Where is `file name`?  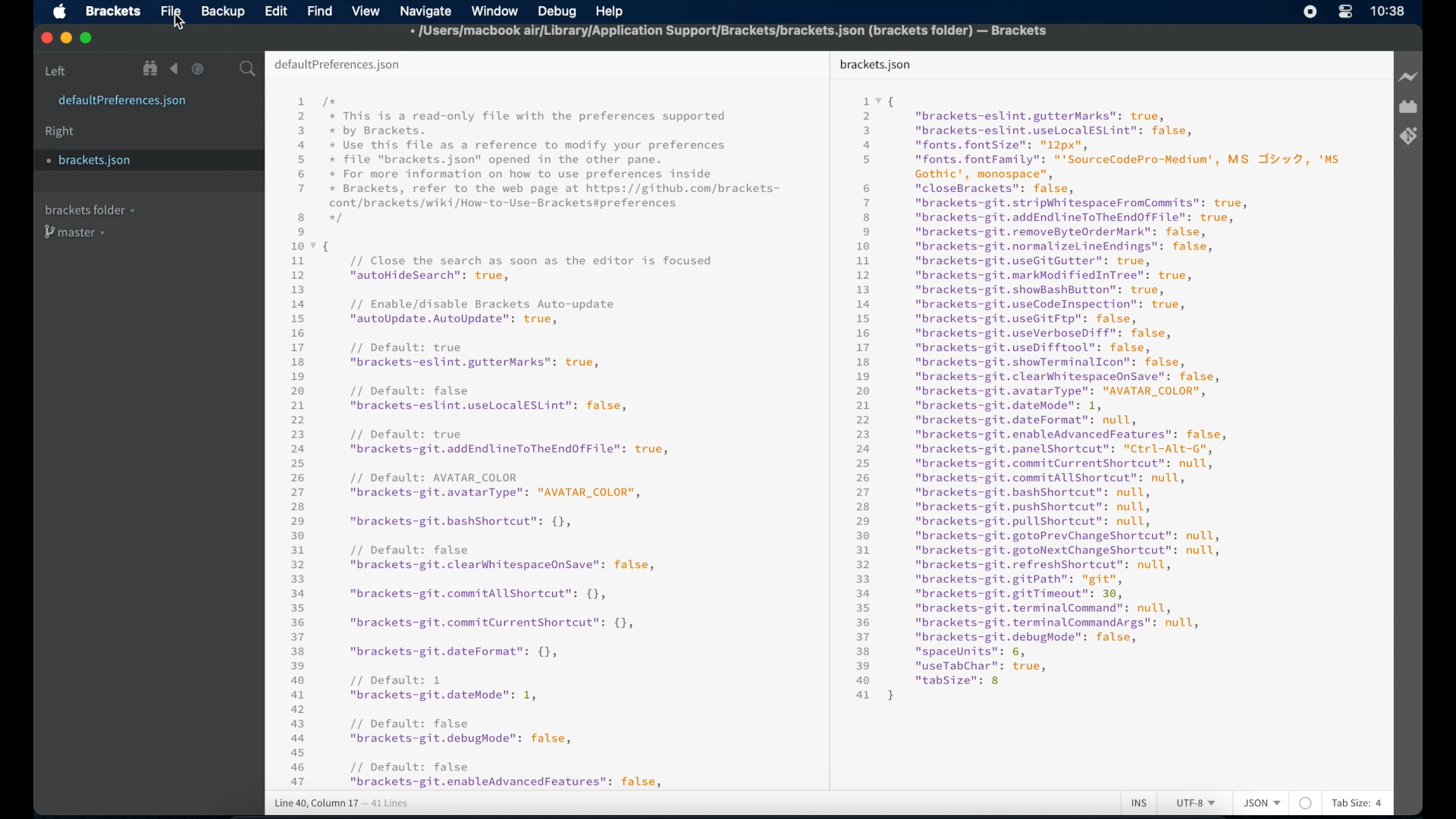 file name is located at coordinates (730, 30).